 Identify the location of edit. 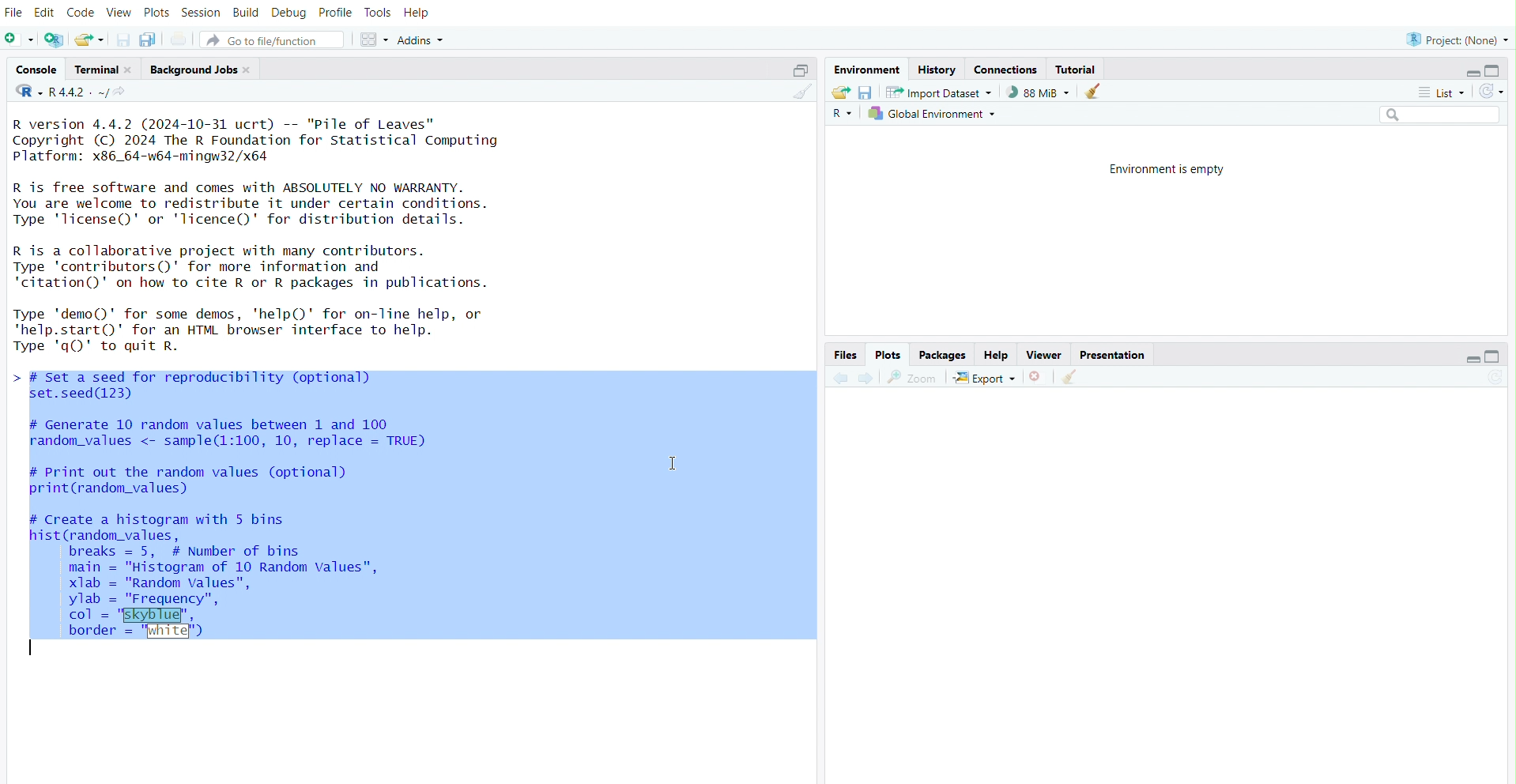
(45, 10).